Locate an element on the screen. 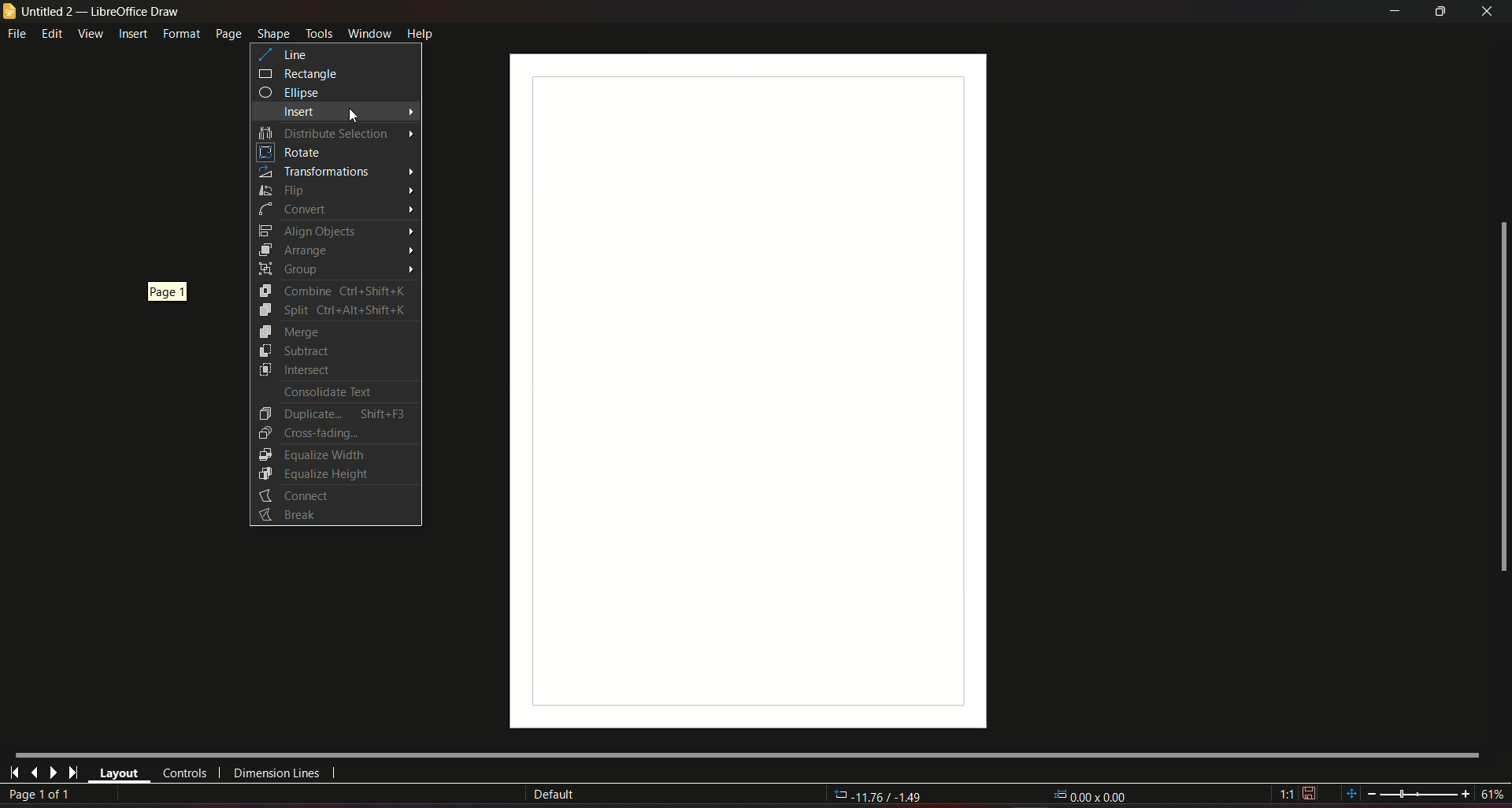 The height and width of the screenshot is (808, 1512). next page is located at coordinates (53, 773).